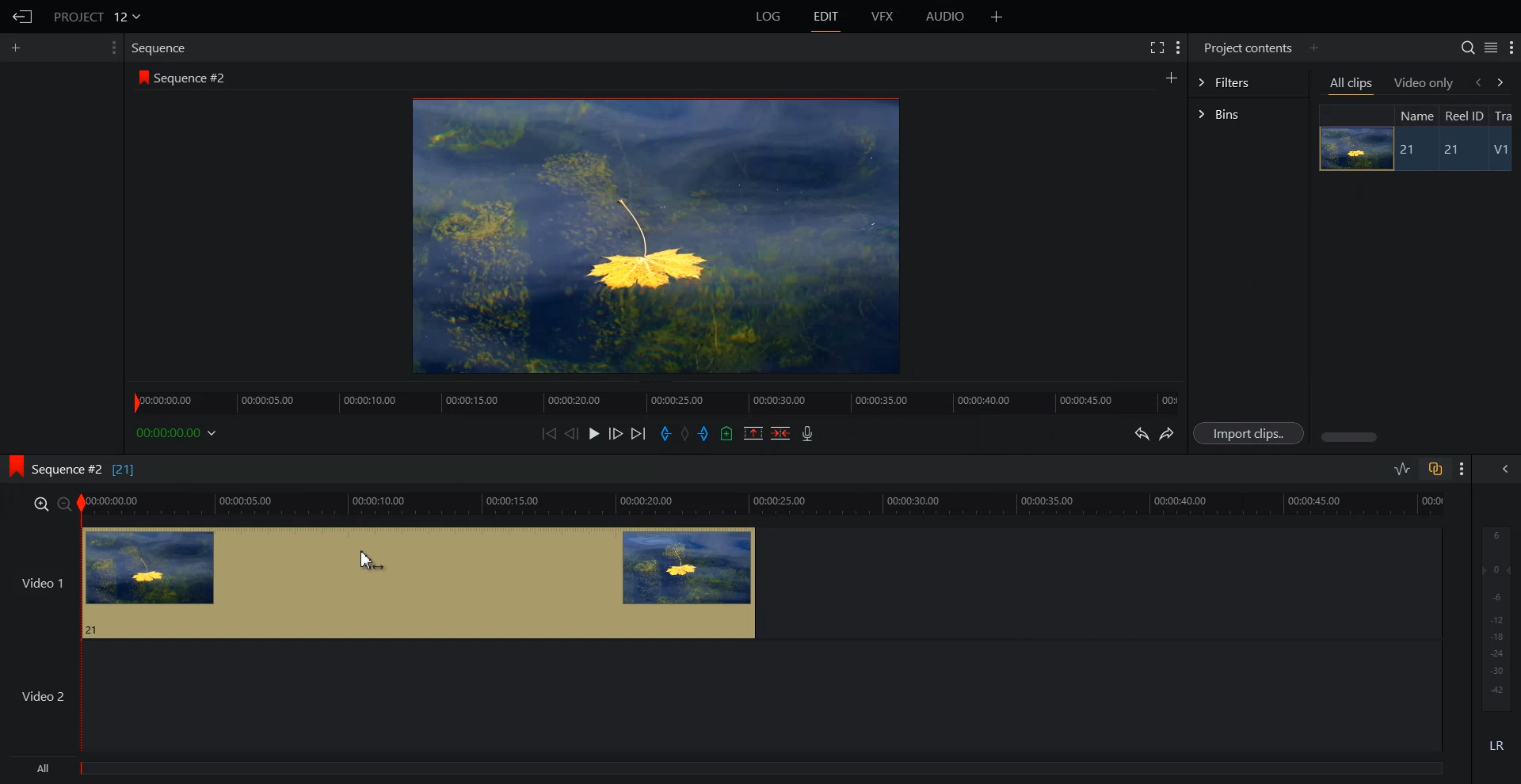  I want to click on zoom in/zoom out, so click(49, 503).